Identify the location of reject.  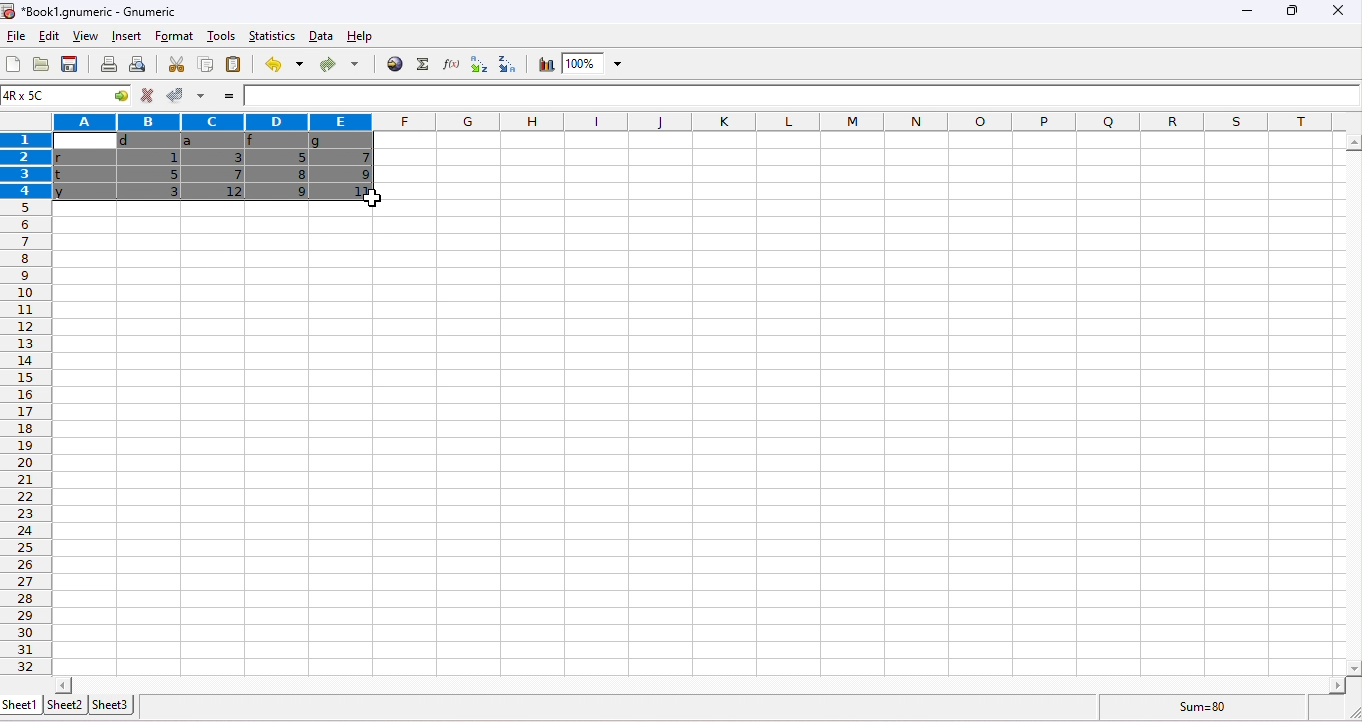
(146, 95).